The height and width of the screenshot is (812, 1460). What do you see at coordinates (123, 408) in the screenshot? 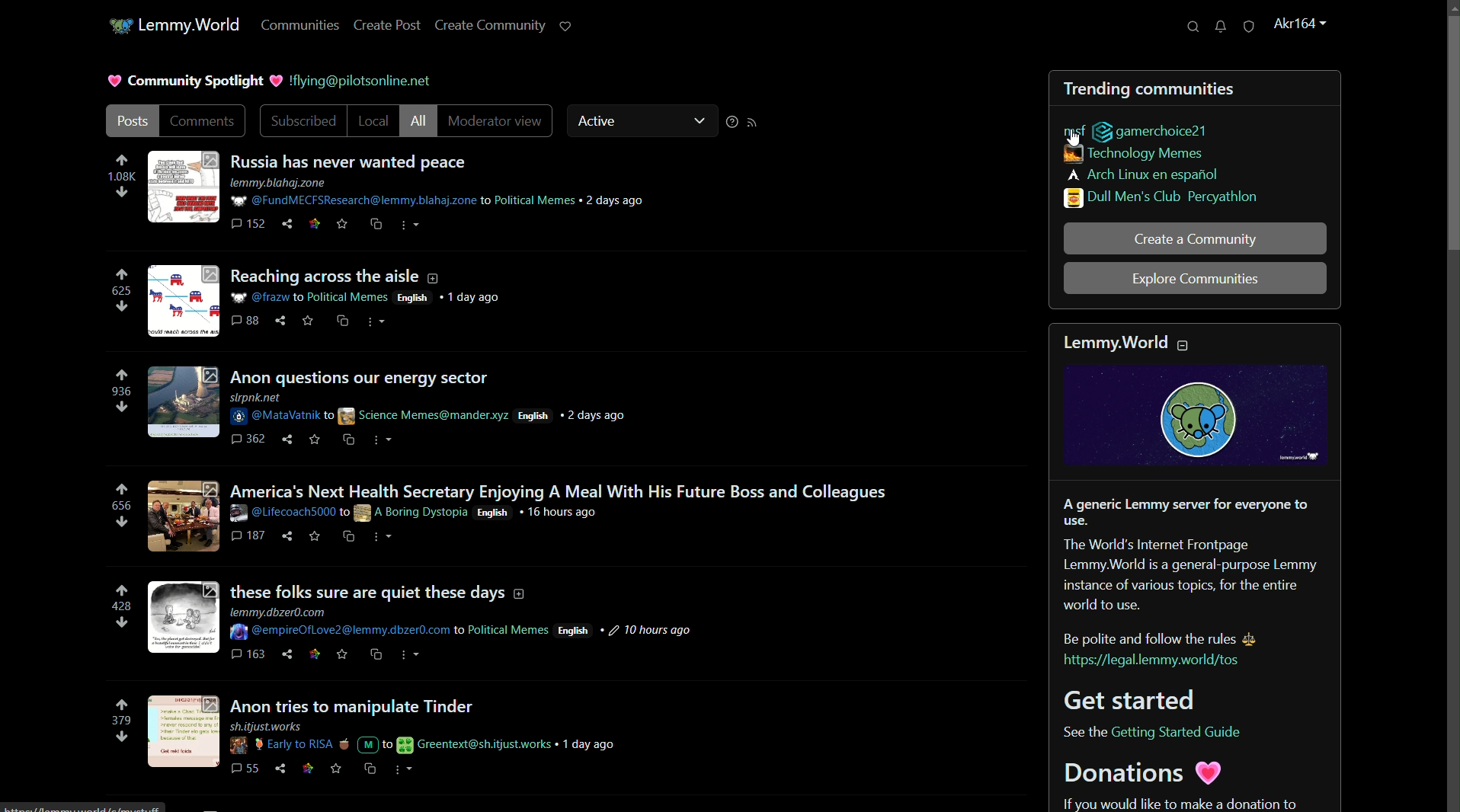
I see `downvote` at bounding box center [123, 408].